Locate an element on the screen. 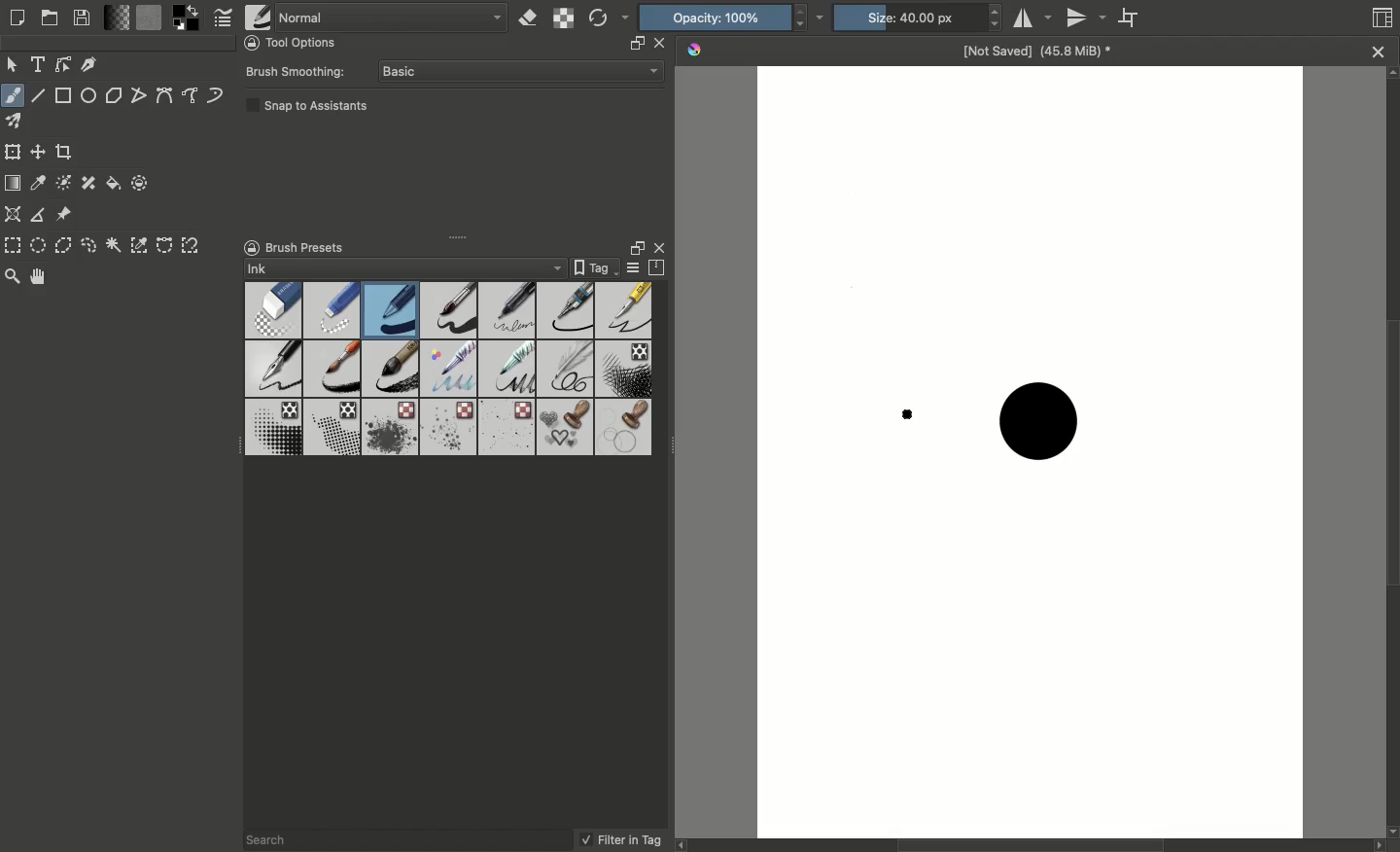 Image resolution: width=1400 pixels, height=852 pixels. Ellipse is located at coordinates (88, 94).